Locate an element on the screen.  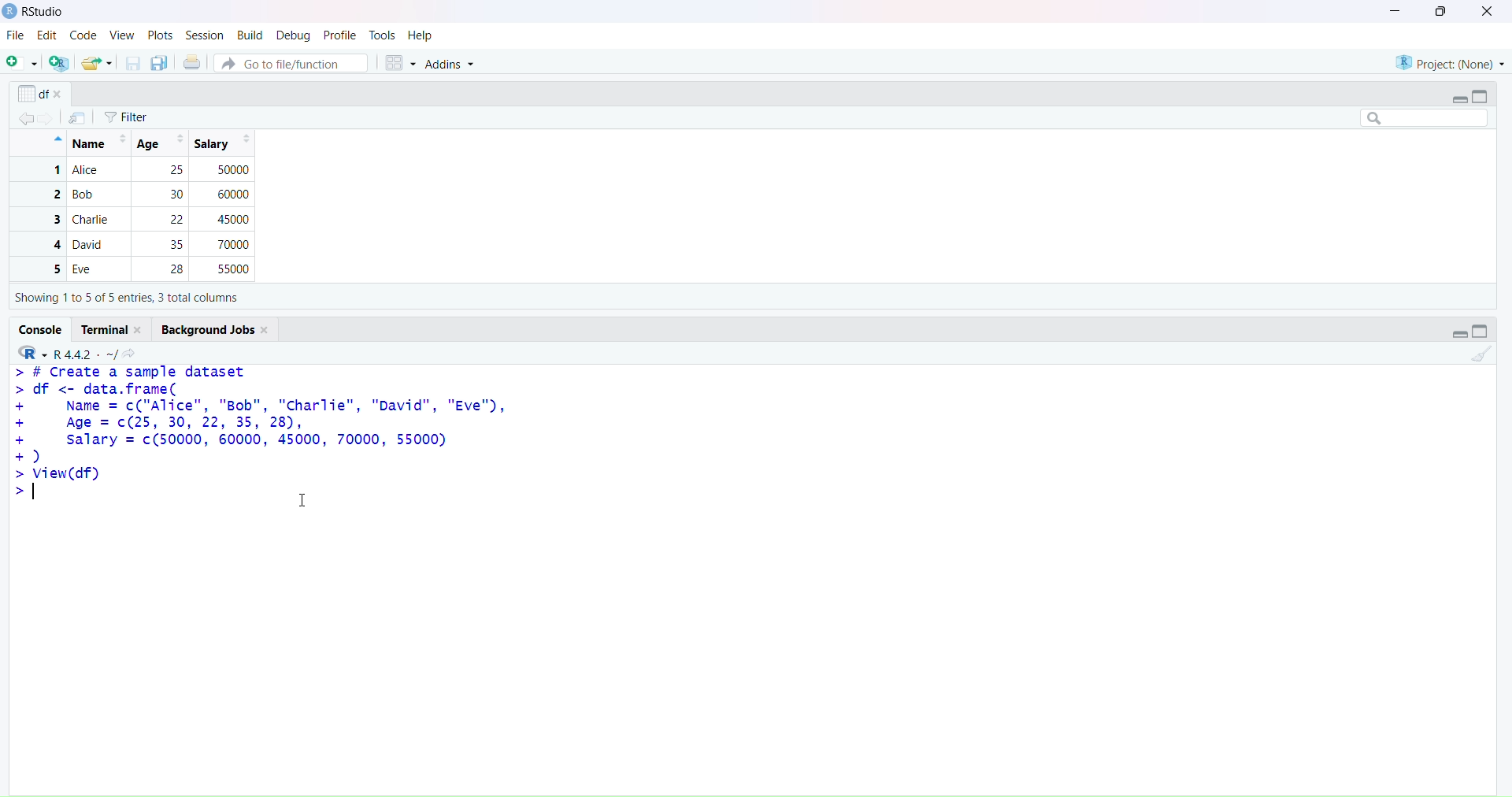
save current documents is located at coordinates (134, 64).